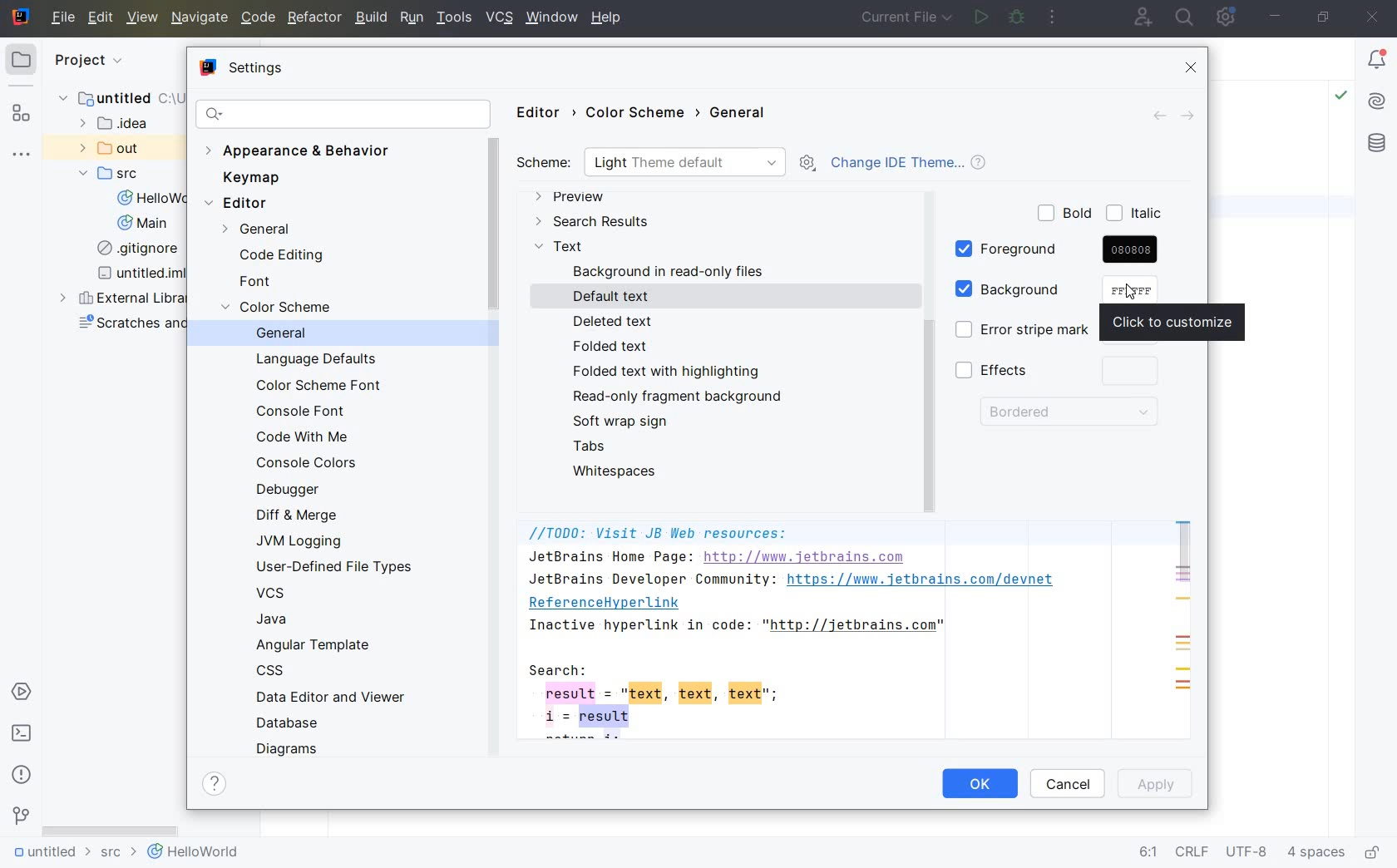  I want to click on CODE, so click(258, 19).